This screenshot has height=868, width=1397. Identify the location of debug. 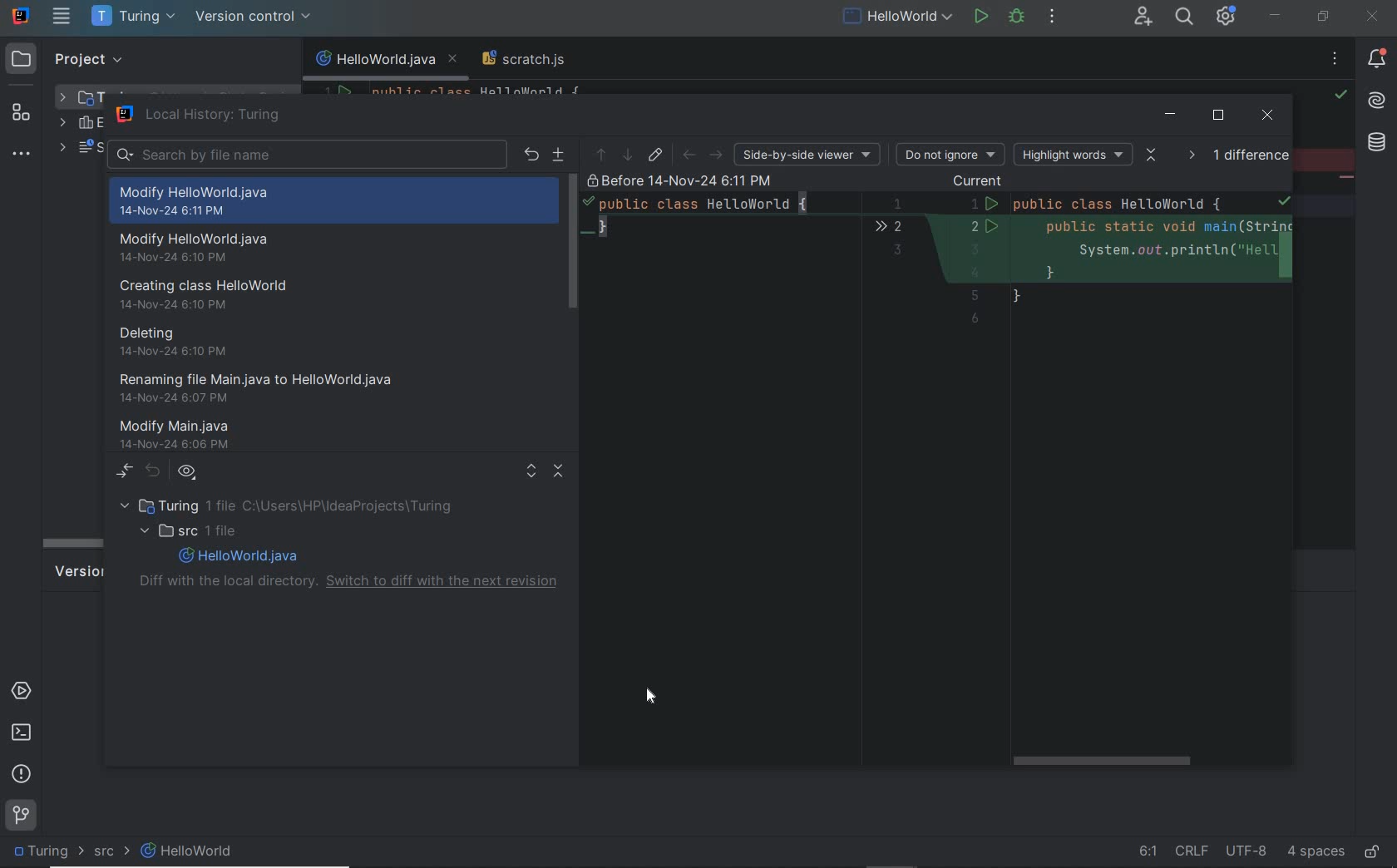
(1016, 18).